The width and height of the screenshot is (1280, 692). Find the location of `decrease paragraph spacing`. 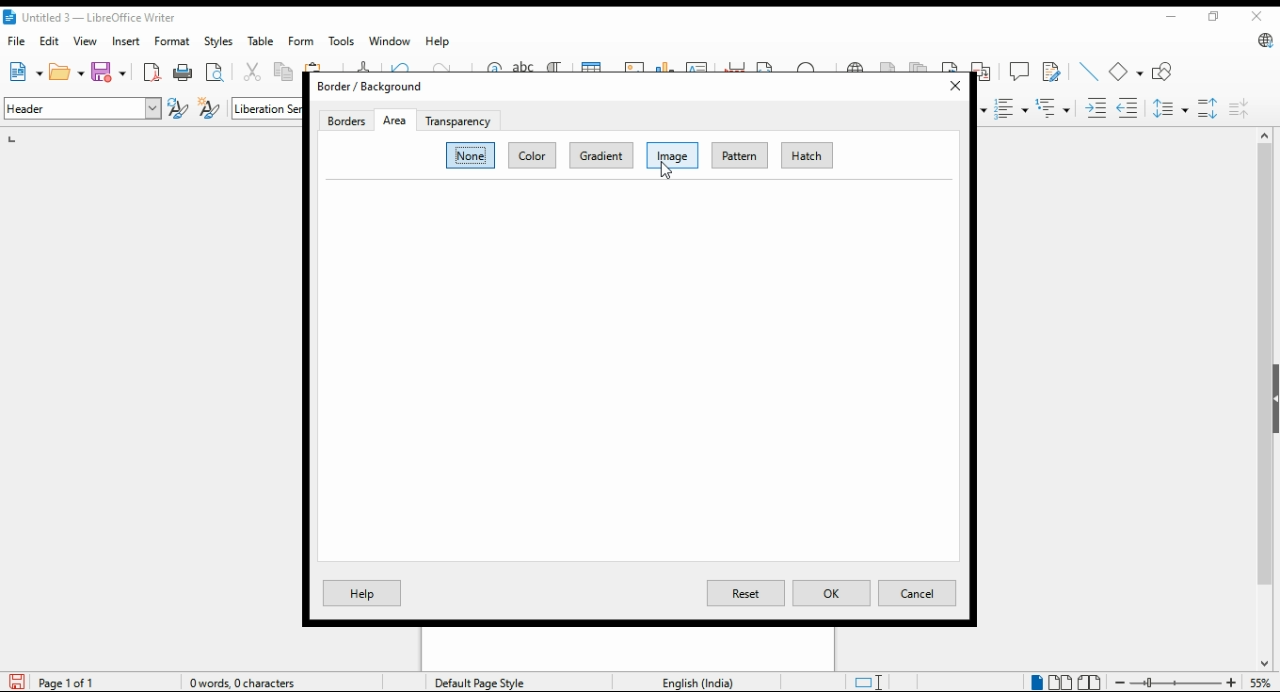

decrease paragraph spacing is located at coordinates (1239, 108).